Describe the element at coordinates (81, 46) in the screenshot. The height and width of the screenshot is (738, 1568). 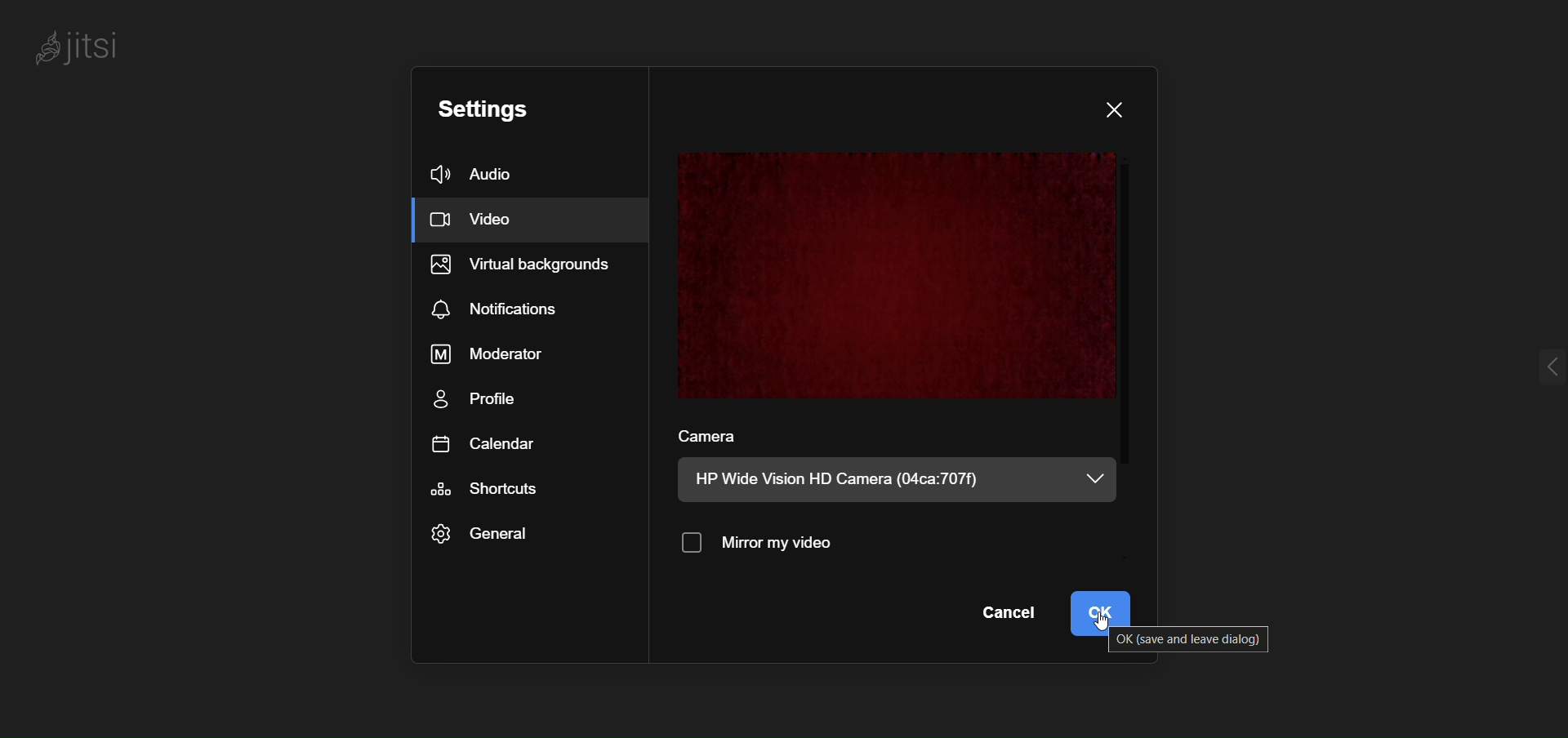
I see `JITSI` at that location.